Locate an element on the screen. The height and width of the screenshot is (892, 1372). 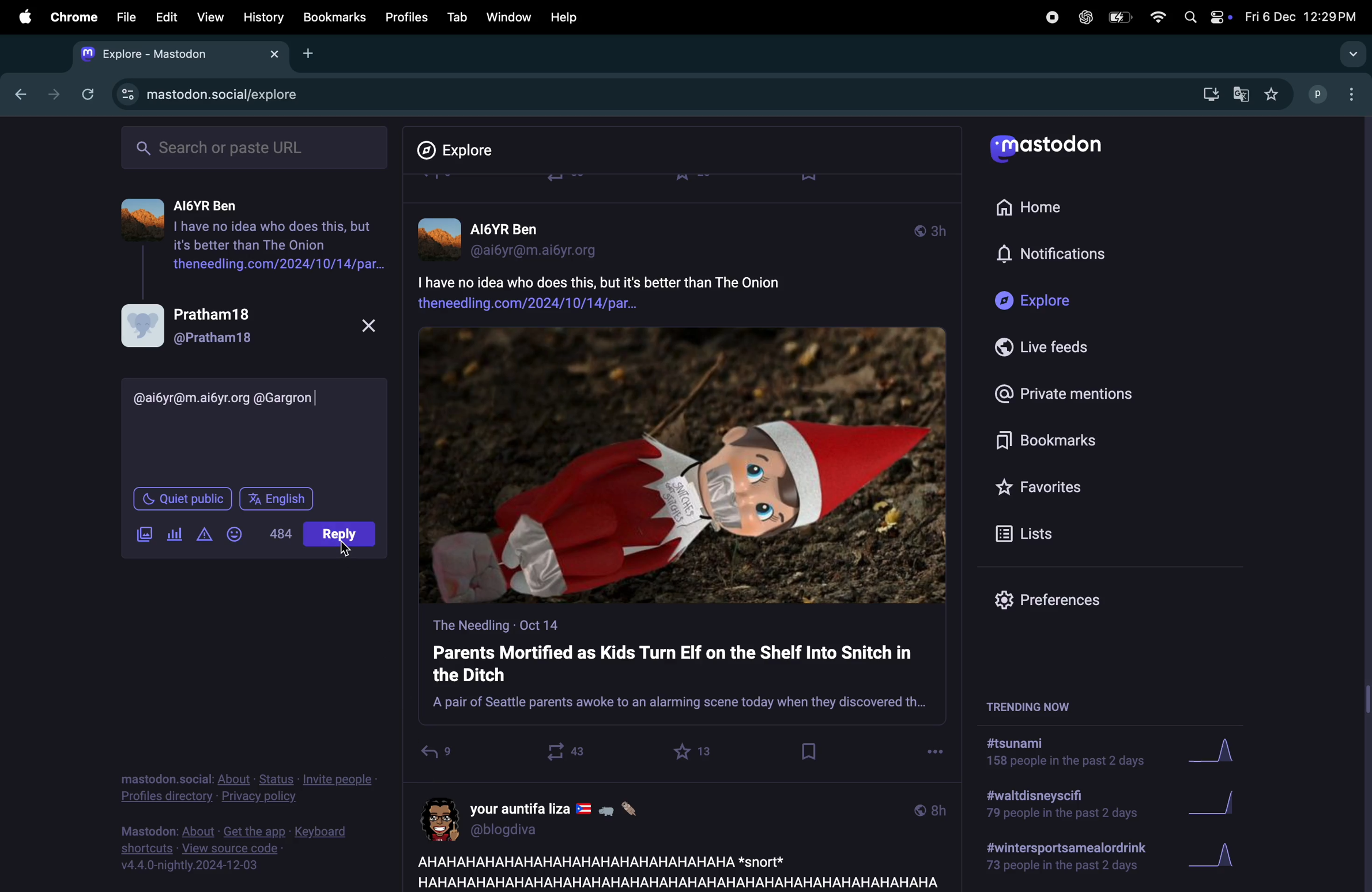
favourite is located at coordinates (695, 751).